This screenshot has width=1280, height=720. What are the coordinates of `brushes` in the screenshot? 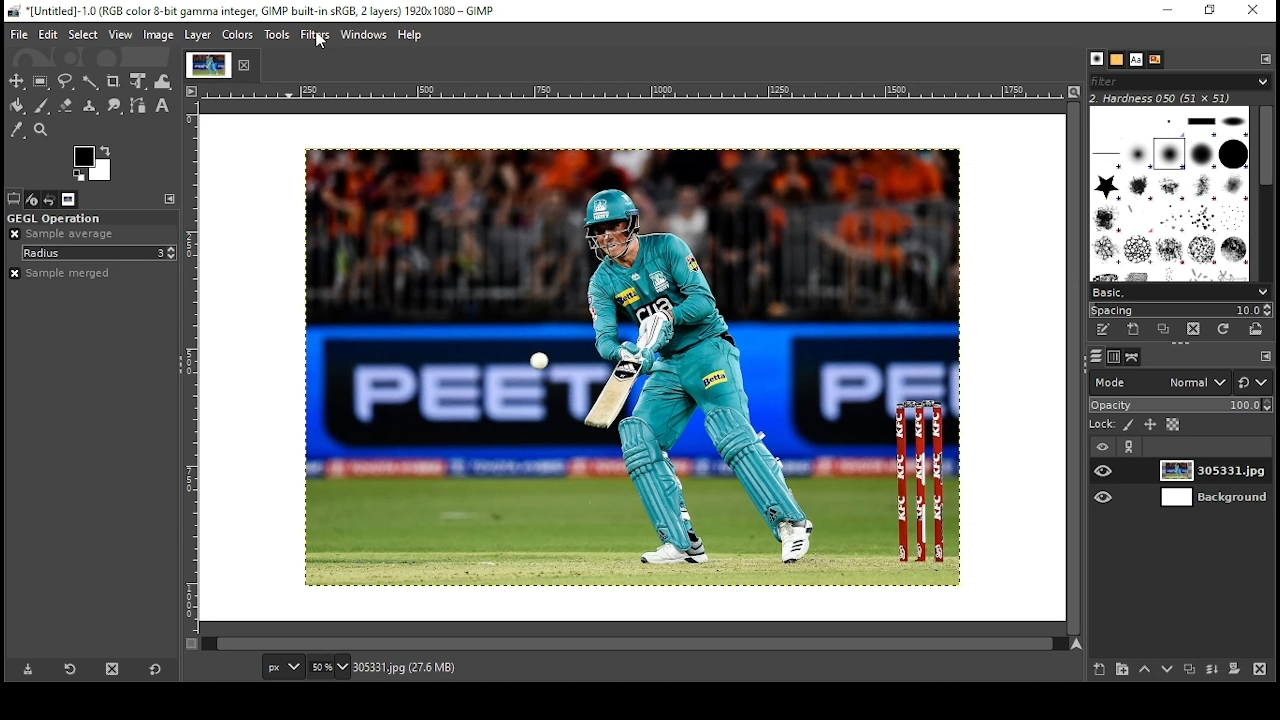 It's located at (1179, 81).